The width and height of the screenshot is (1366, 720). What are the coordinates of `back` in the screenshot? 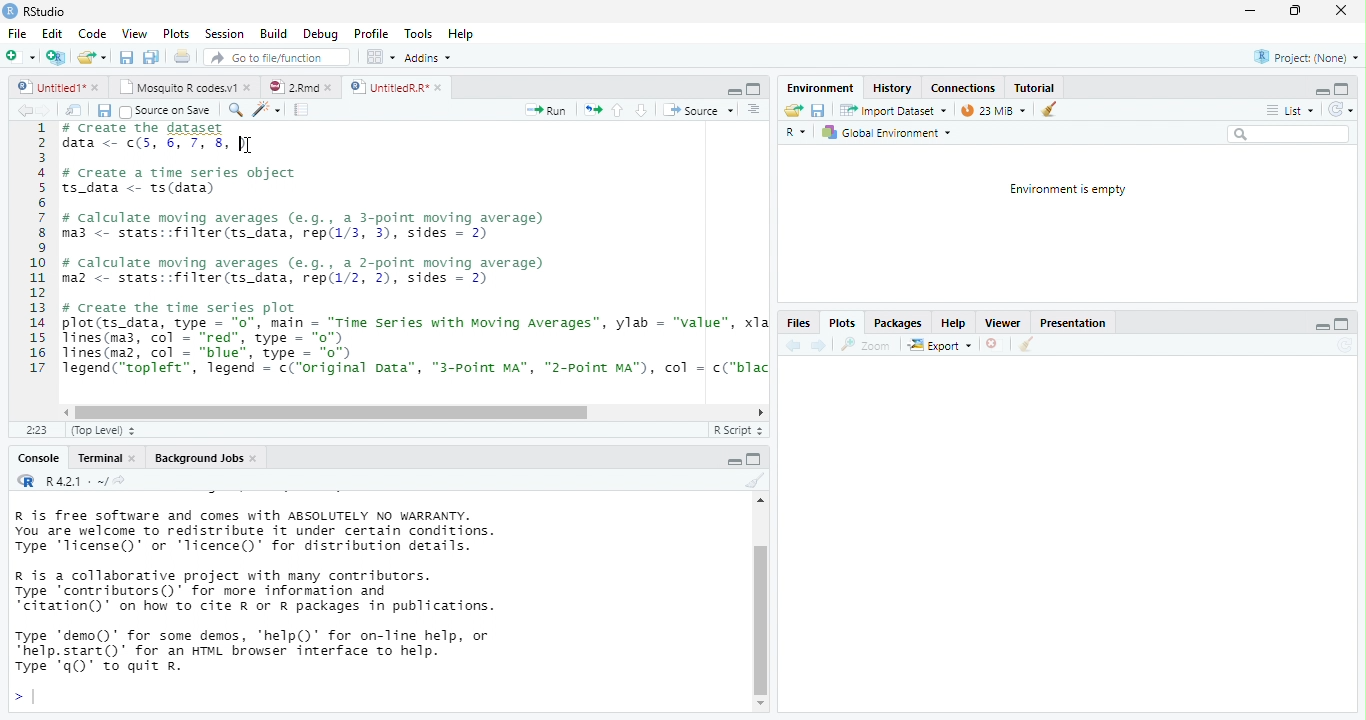 It's located at (791, 345).